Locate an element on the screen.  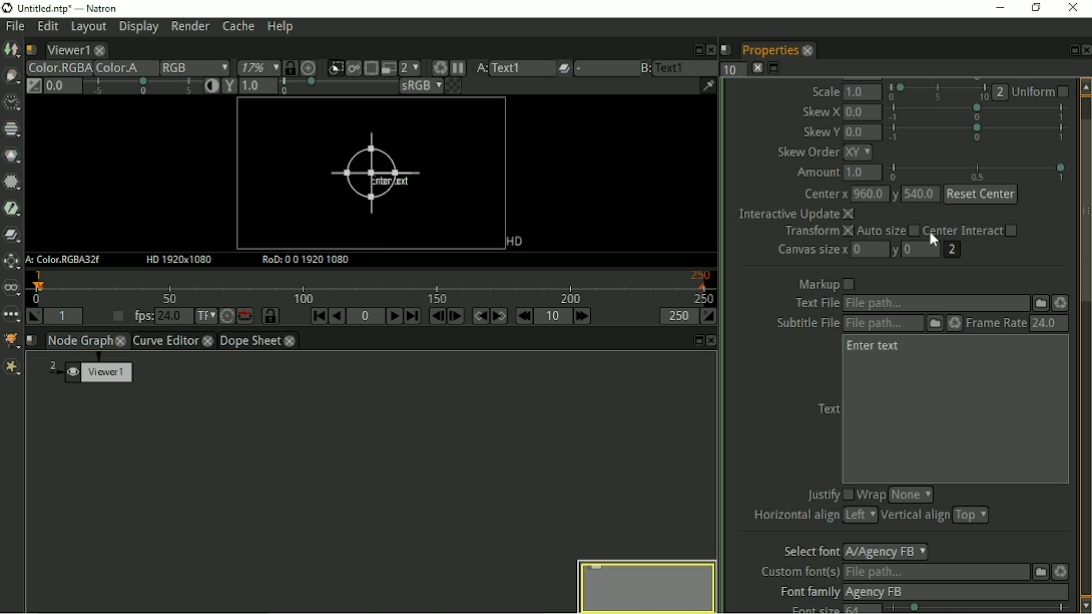
Transform is located at coordinates (11, 262).